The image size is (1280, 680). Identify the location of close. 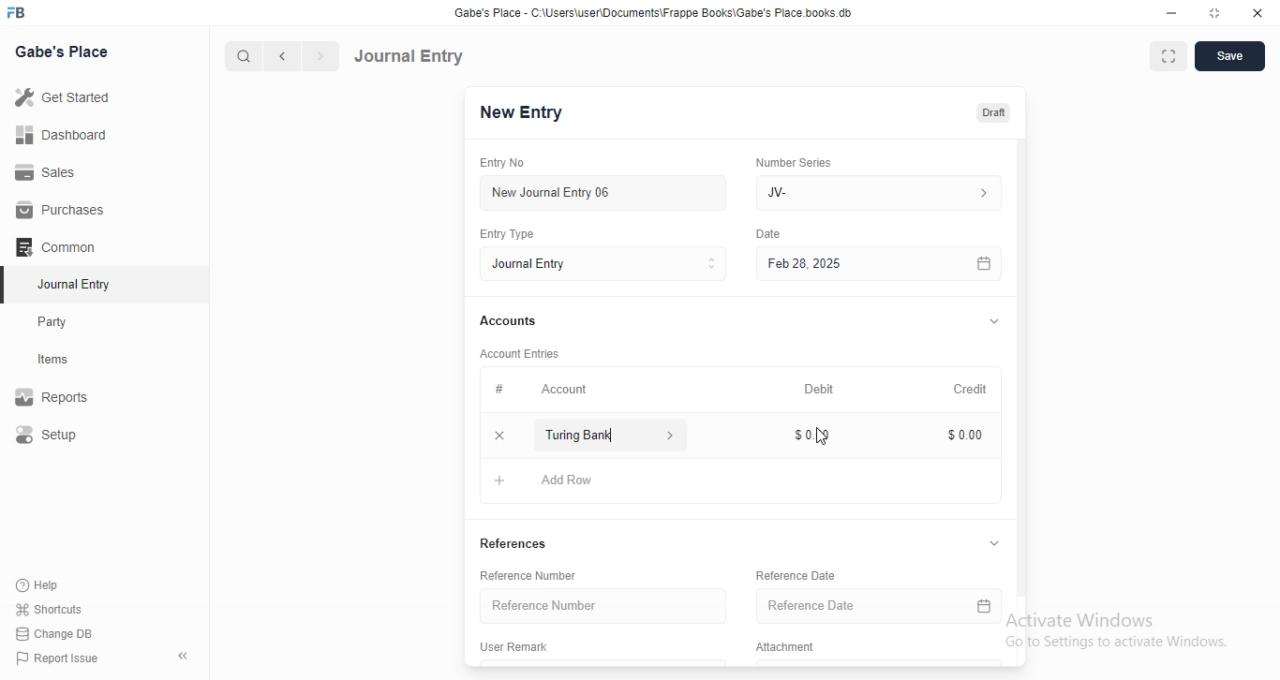
(1258, 14).